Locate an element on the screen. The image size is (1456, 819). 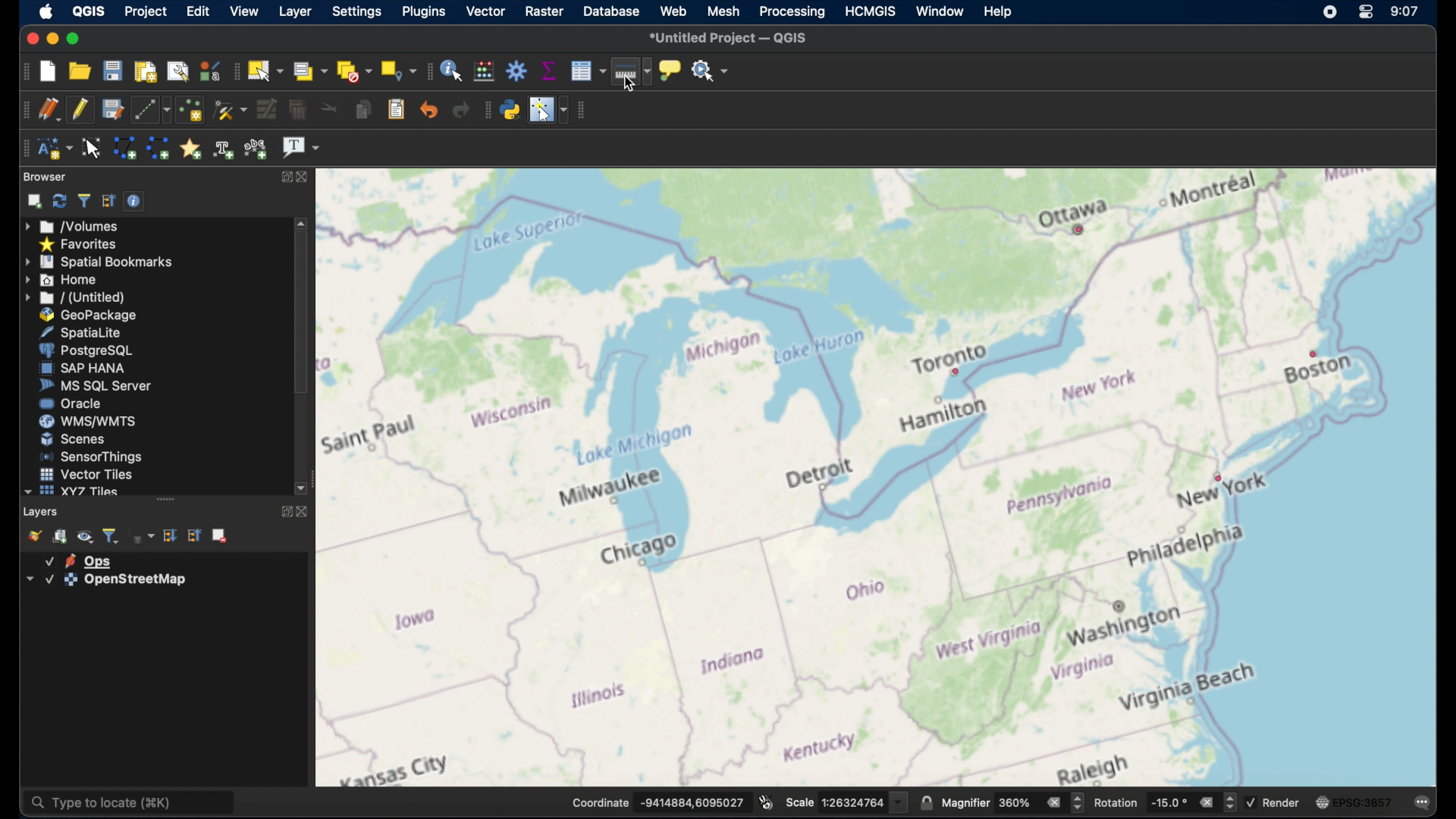
close is located at coordinates (303, 513).